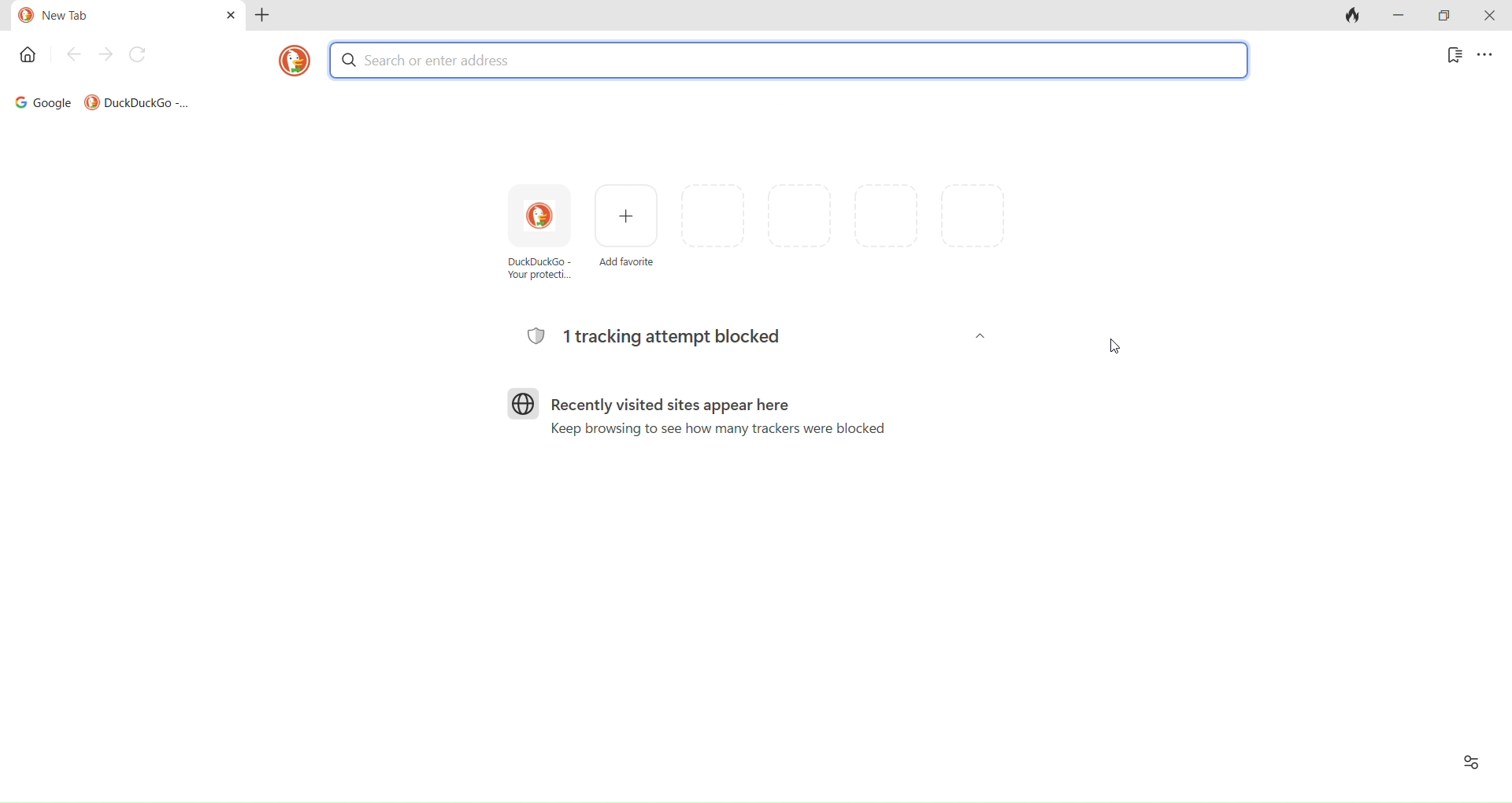 This screenshot has height=803, width=1512. Describe the element at coordinates (1468, 766) in the screenshot. I see `favorites and recent activity` at that location.